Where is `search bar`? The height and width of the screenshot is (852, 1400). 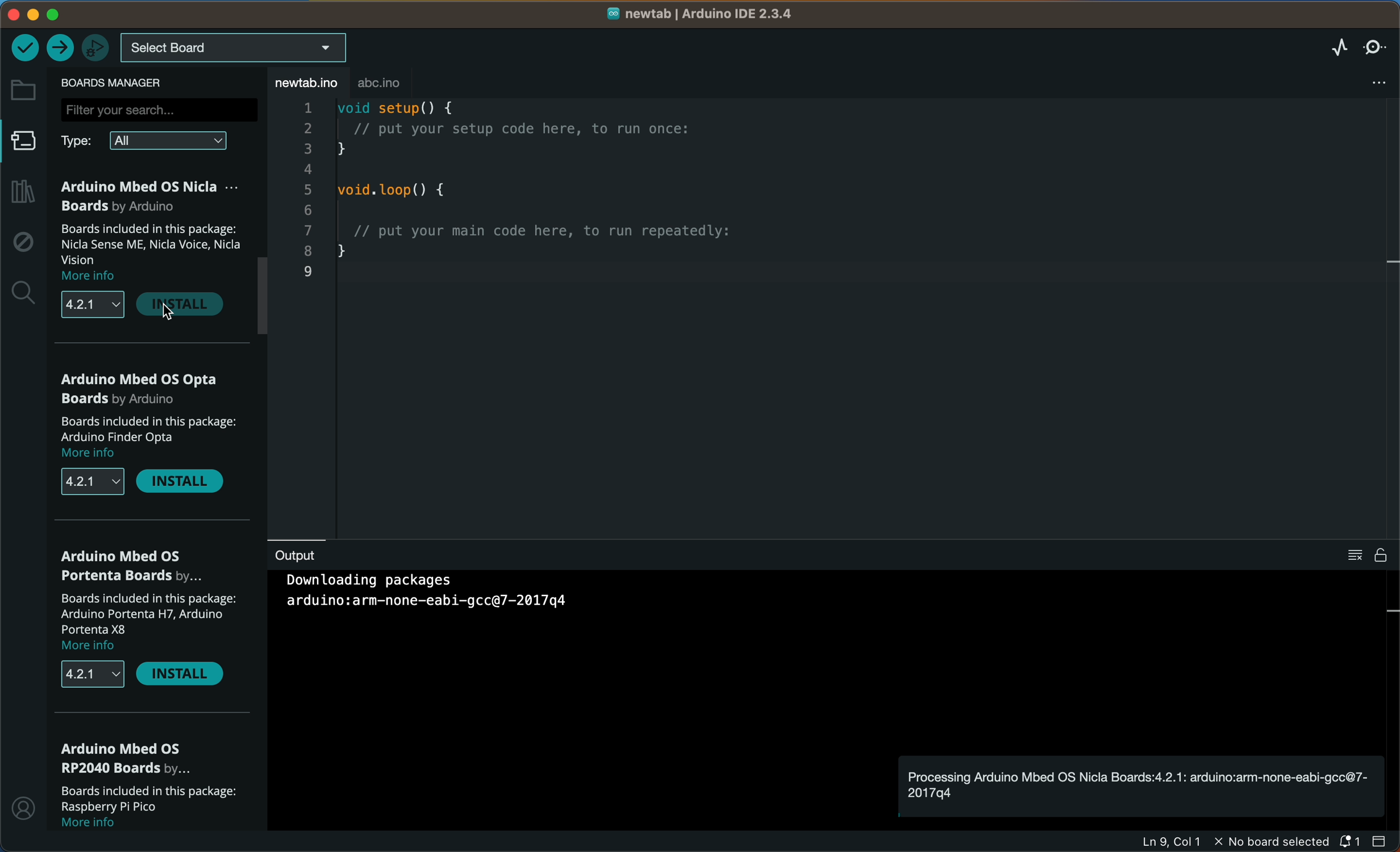
search bar is located at coordinates (160, 110).